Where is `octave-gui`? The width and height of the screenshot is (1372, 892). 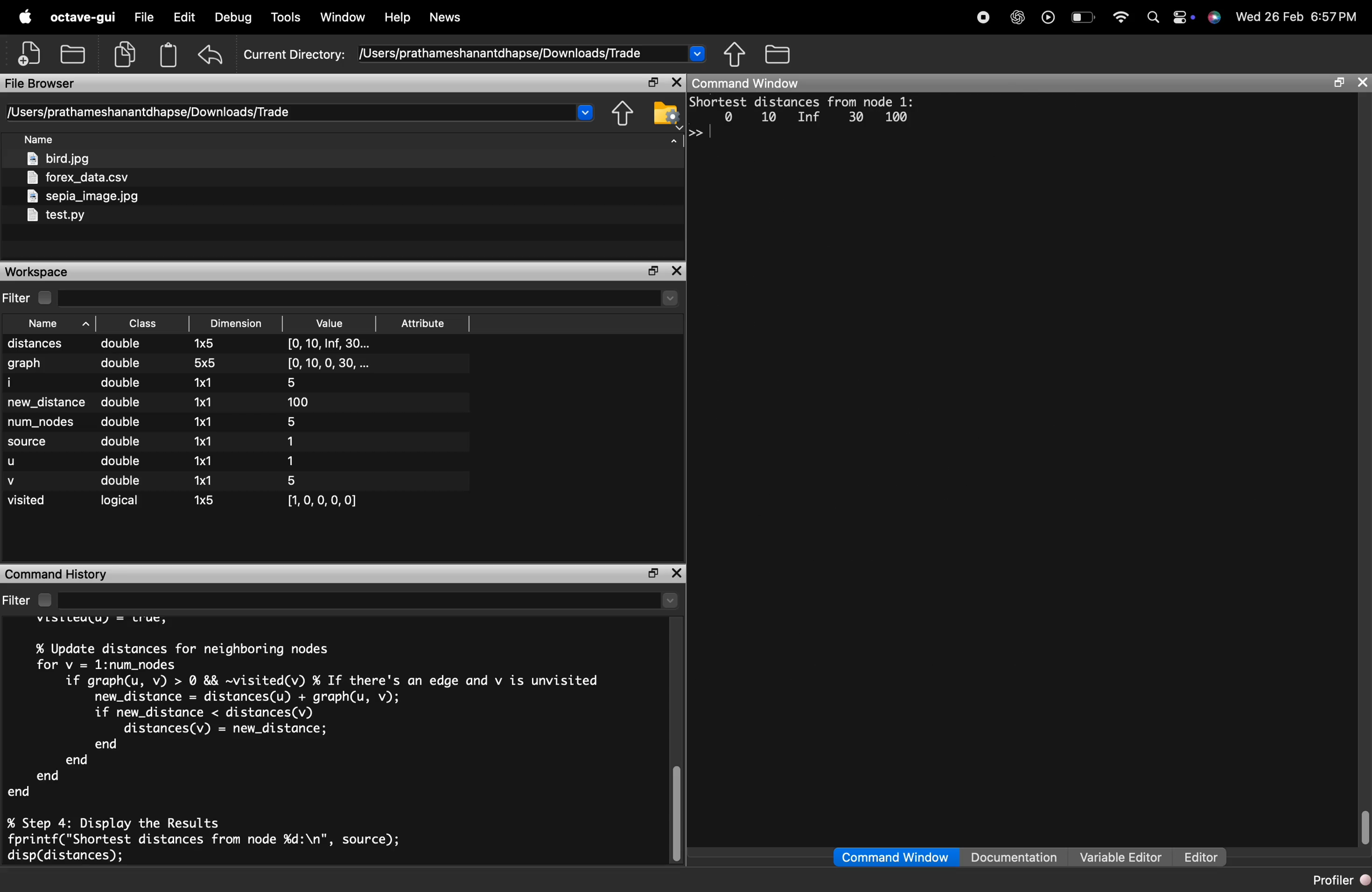 octave-gui is located at coordinates (83, 17).